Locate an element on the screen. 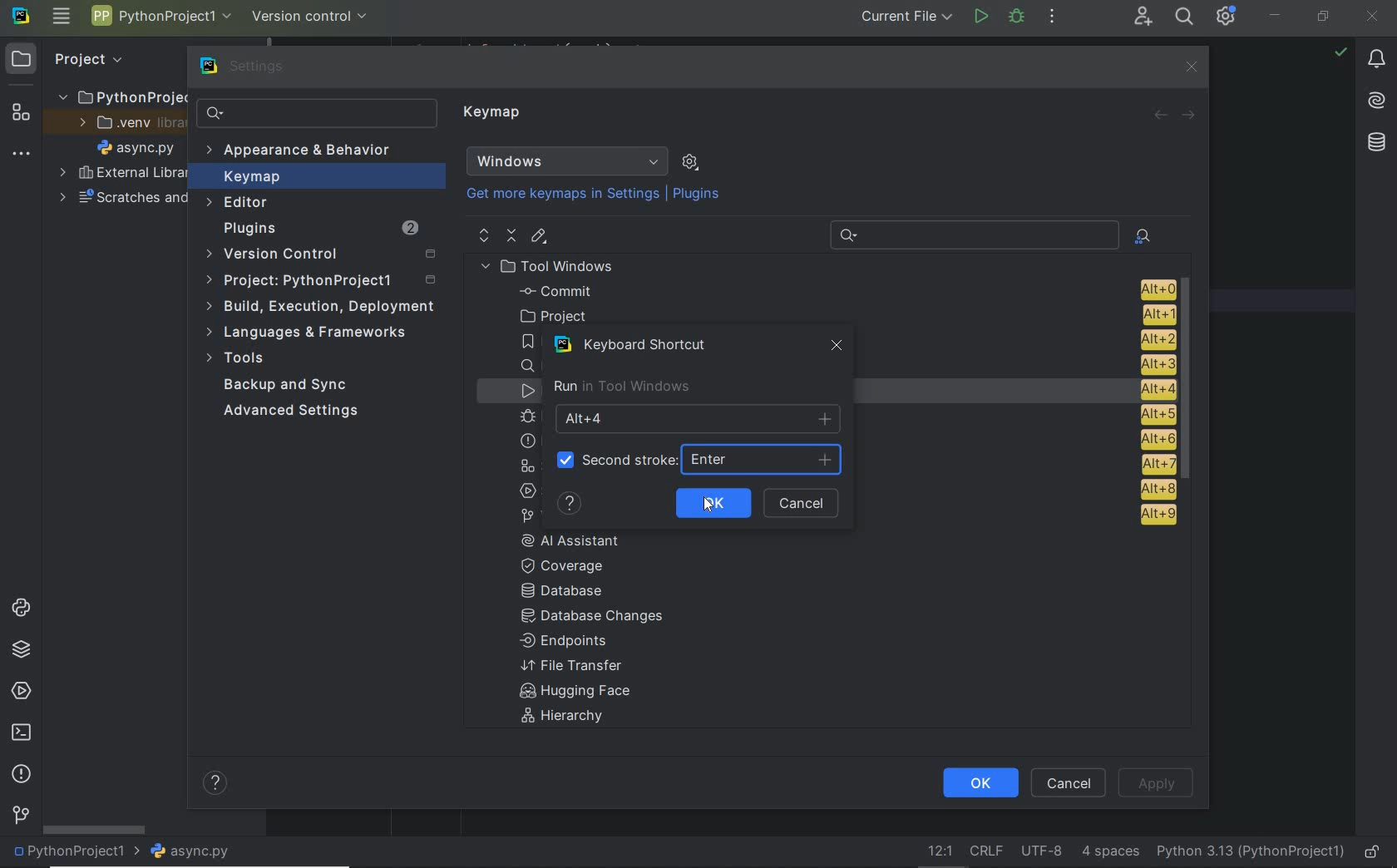  File Encoding is located at coordinates (1043, 852).